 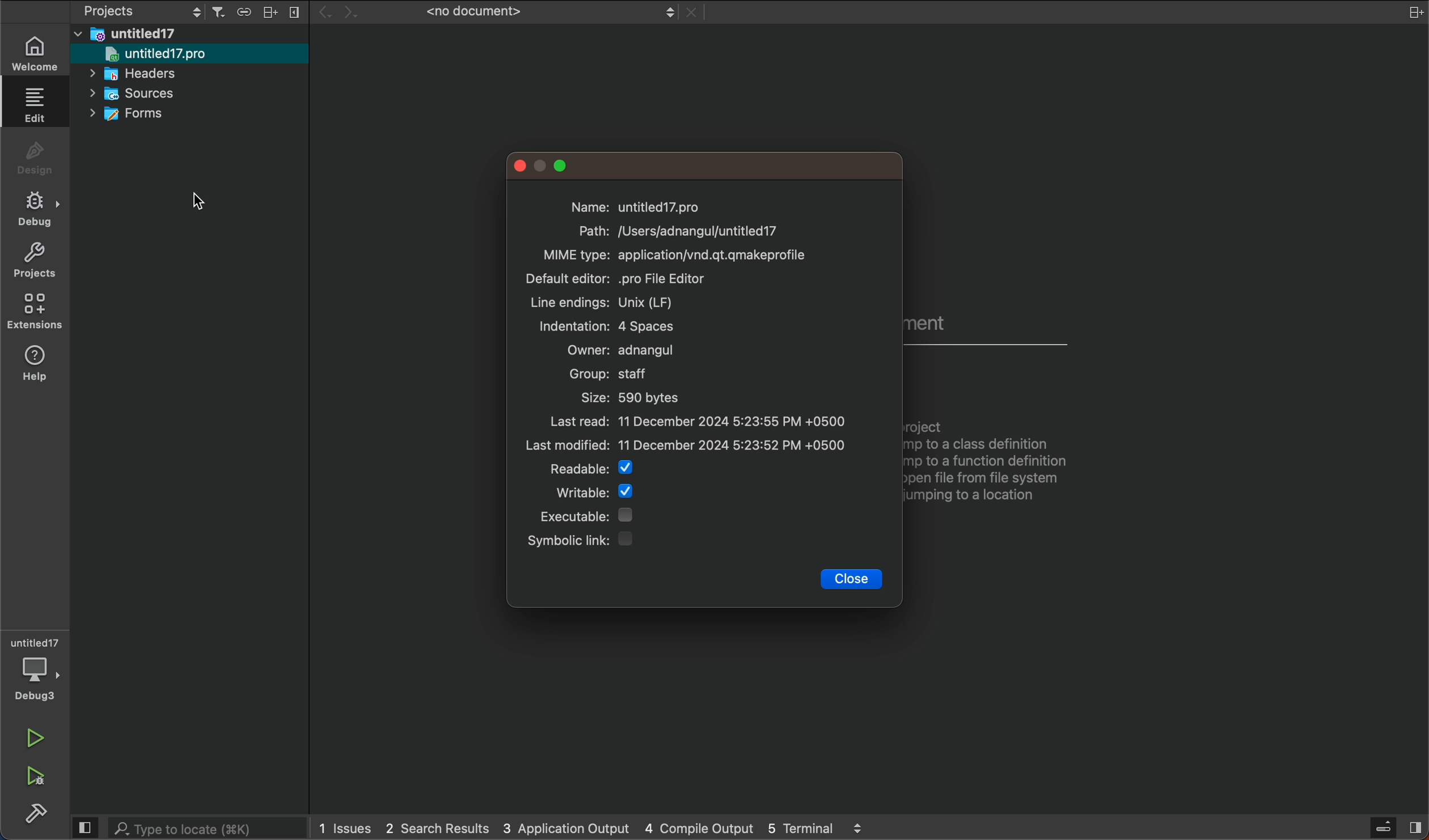 I want to click on build, so click(x=38, y=816).